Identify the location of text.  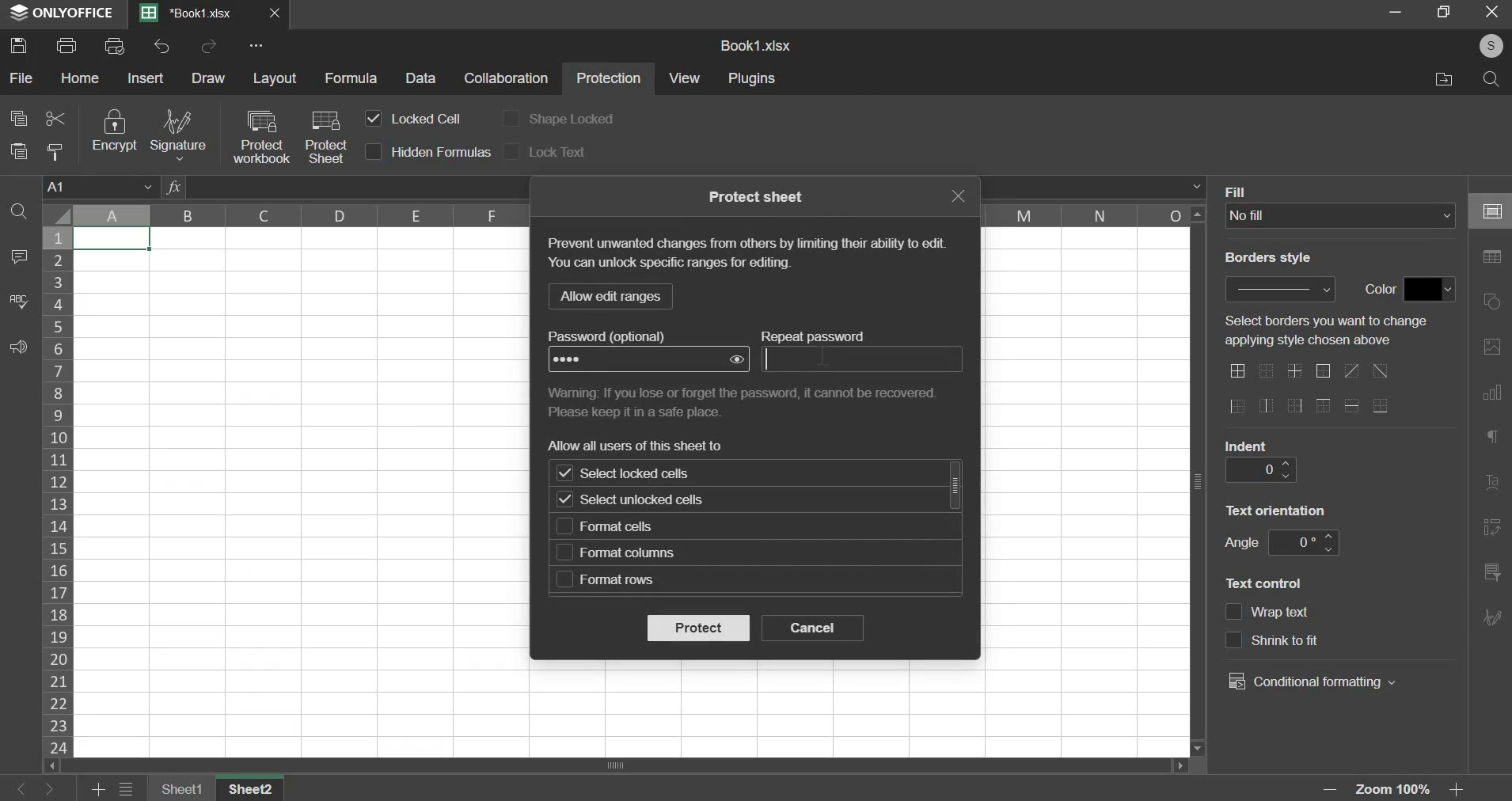
(1334, 332).